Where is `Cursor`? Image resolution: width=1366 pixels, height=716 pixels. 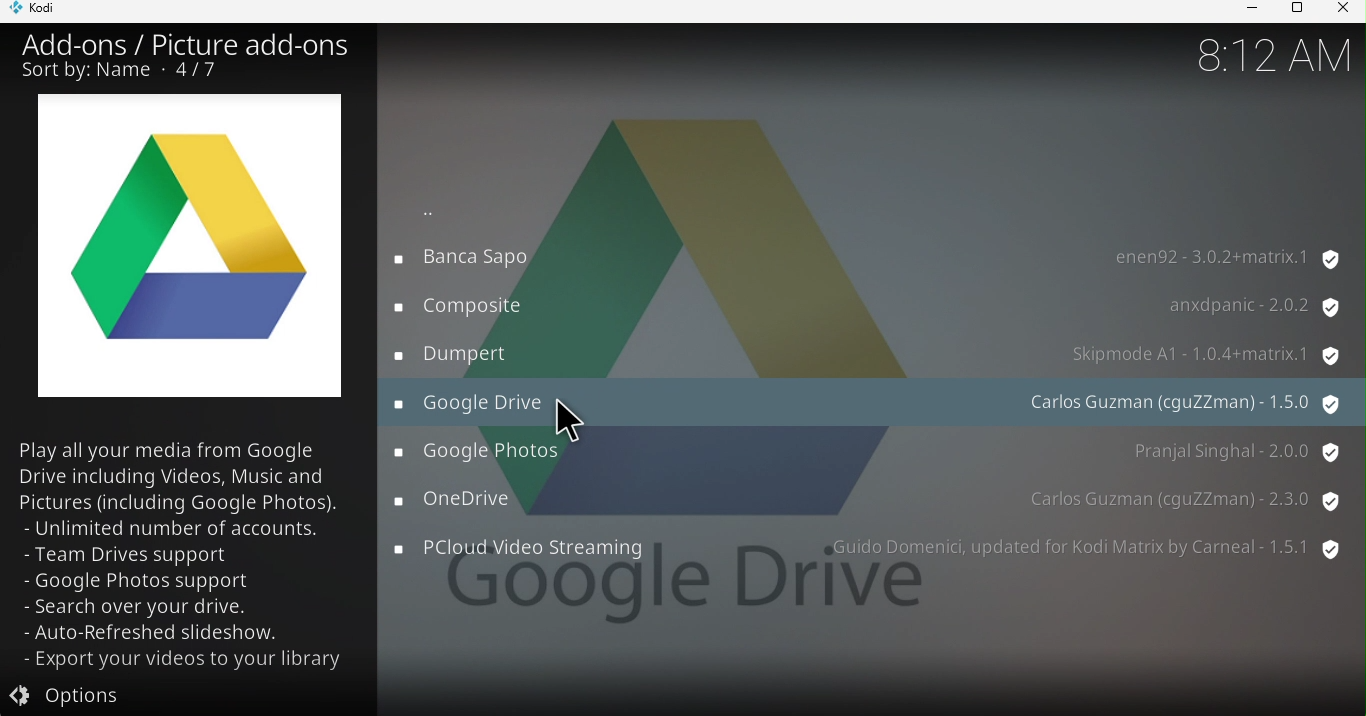
Cursor is located at coordinates (563, 416).